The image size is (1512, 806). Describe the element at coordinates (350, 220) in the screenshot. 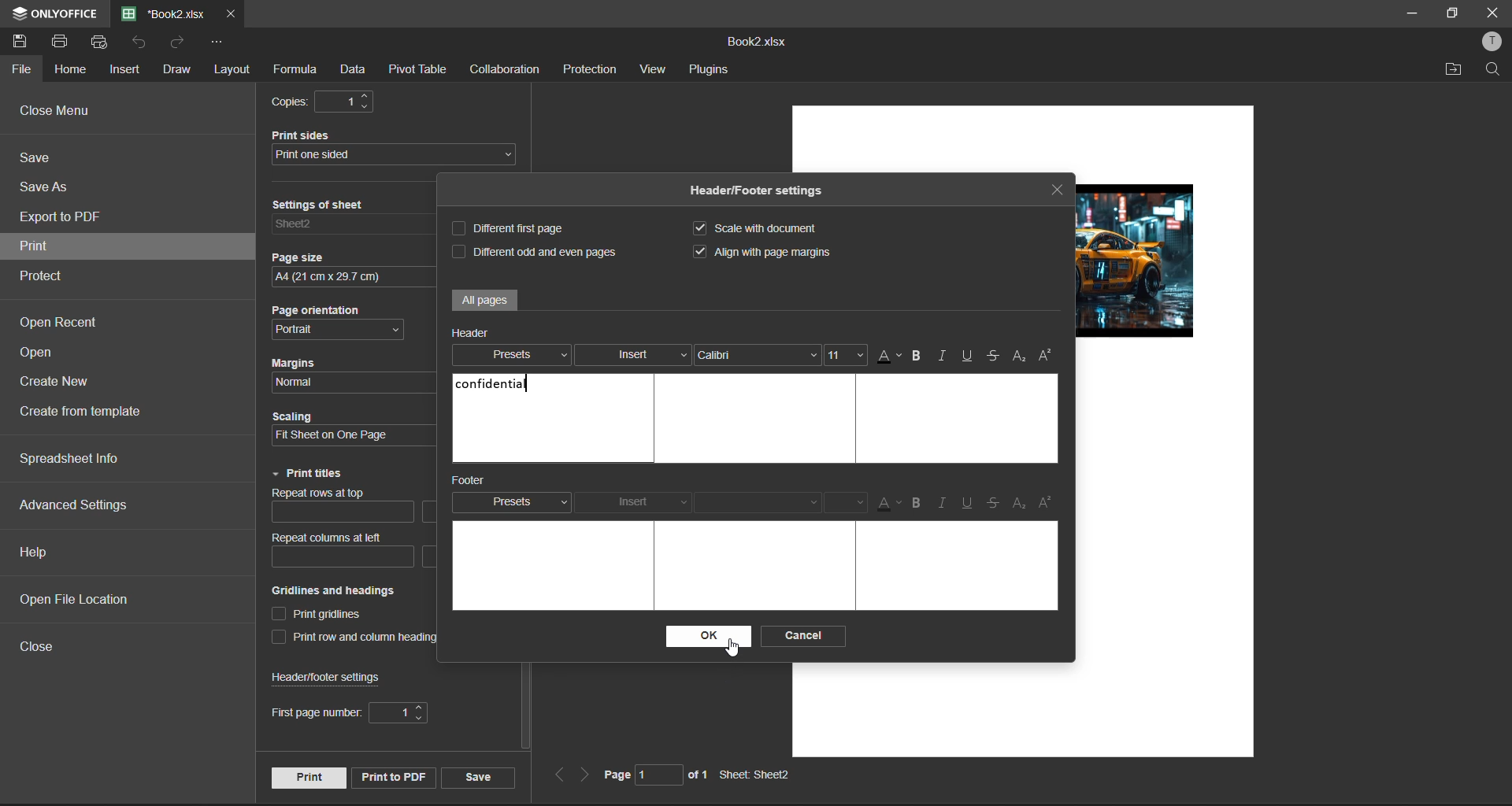

I see `settings of sheet` at that location.